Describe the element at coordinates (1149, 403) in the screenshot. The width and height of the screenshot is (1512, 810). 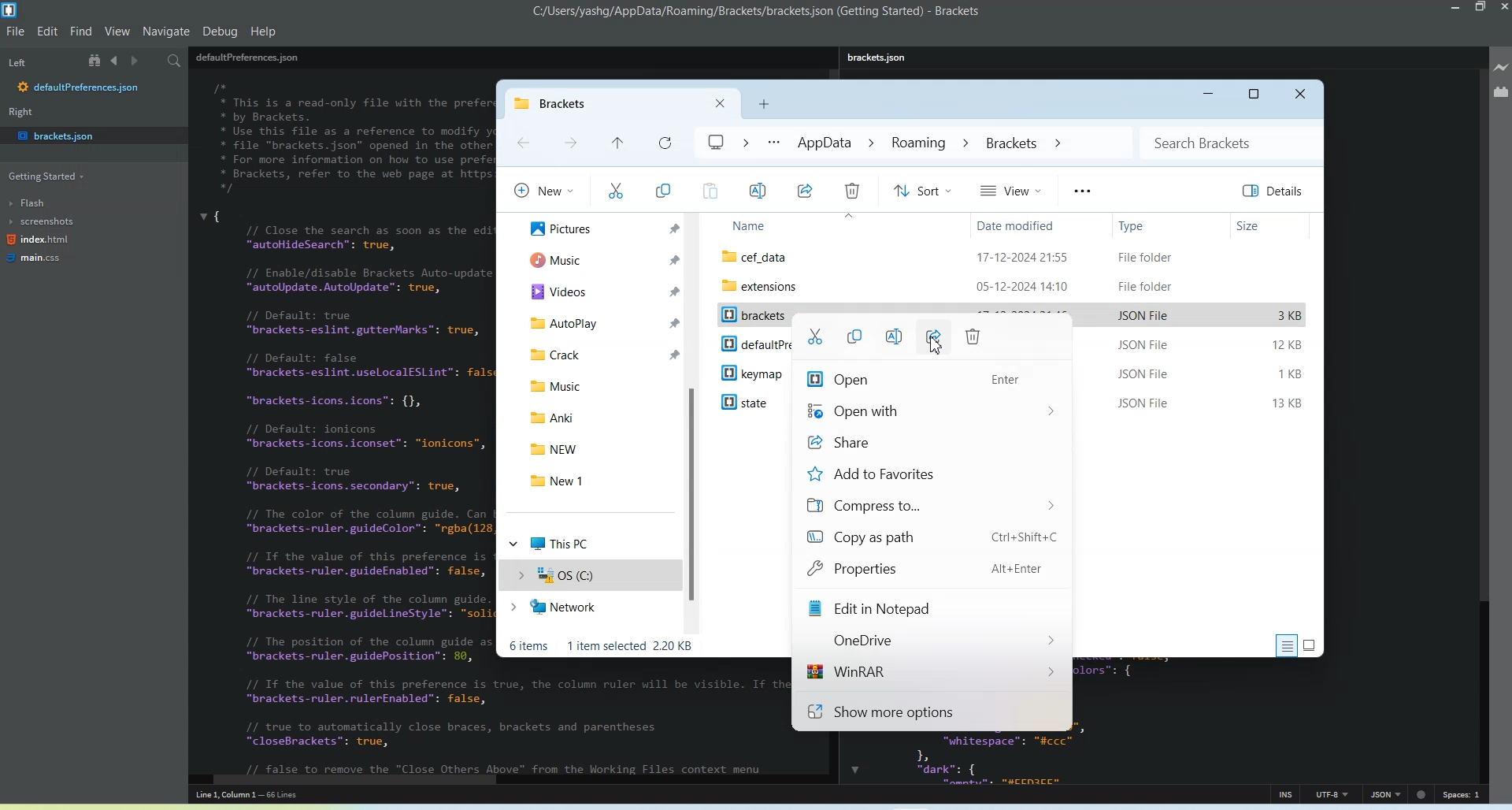
I see `JSON File` at that location.